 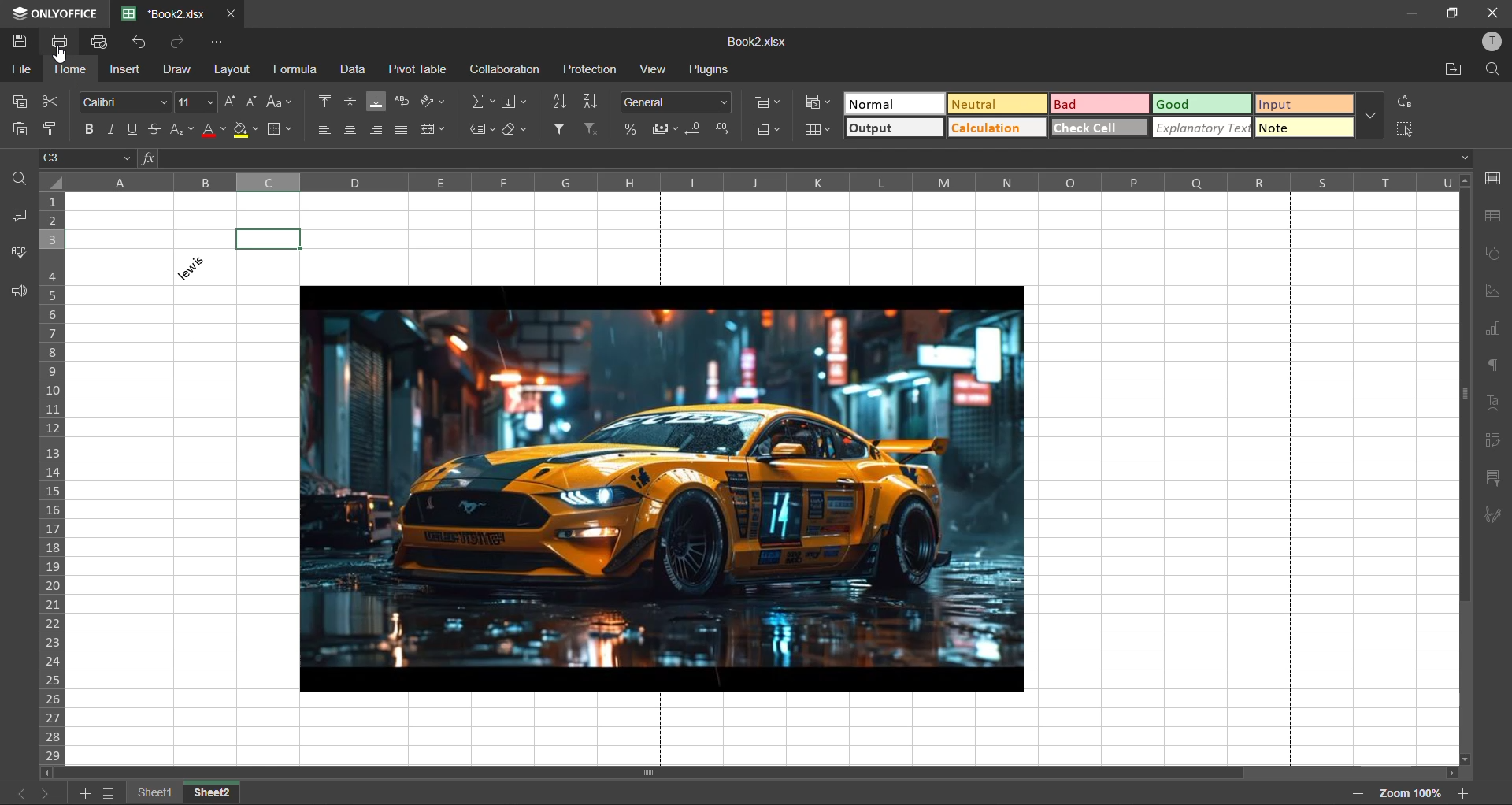 What do you see at coordinates (174, 73) in the screenshot?
I see `draw` at bounding box center [174, 73].